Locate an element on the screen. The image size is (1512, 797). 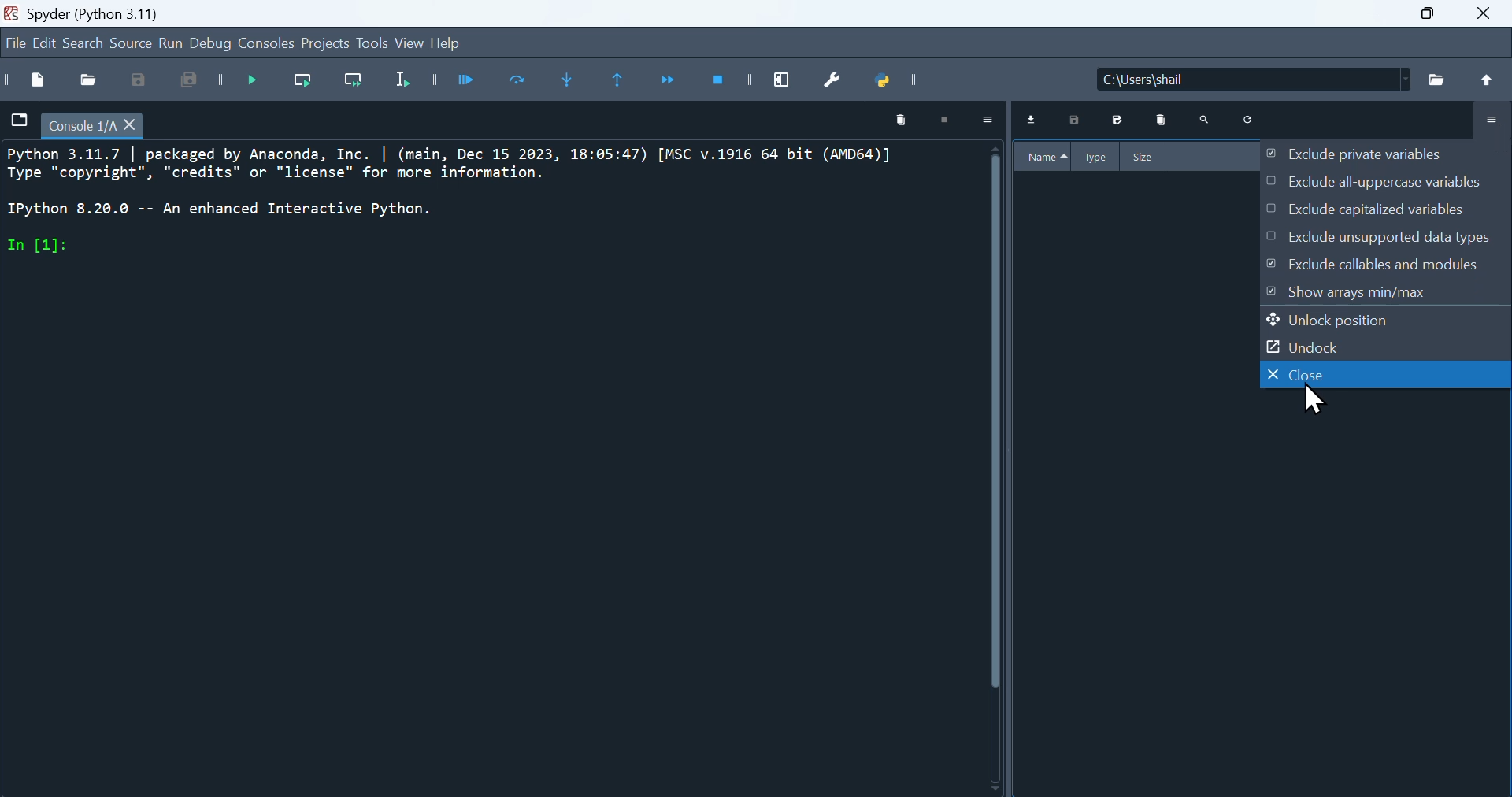
Exclude private variables is located at coordinates (1359, 155).